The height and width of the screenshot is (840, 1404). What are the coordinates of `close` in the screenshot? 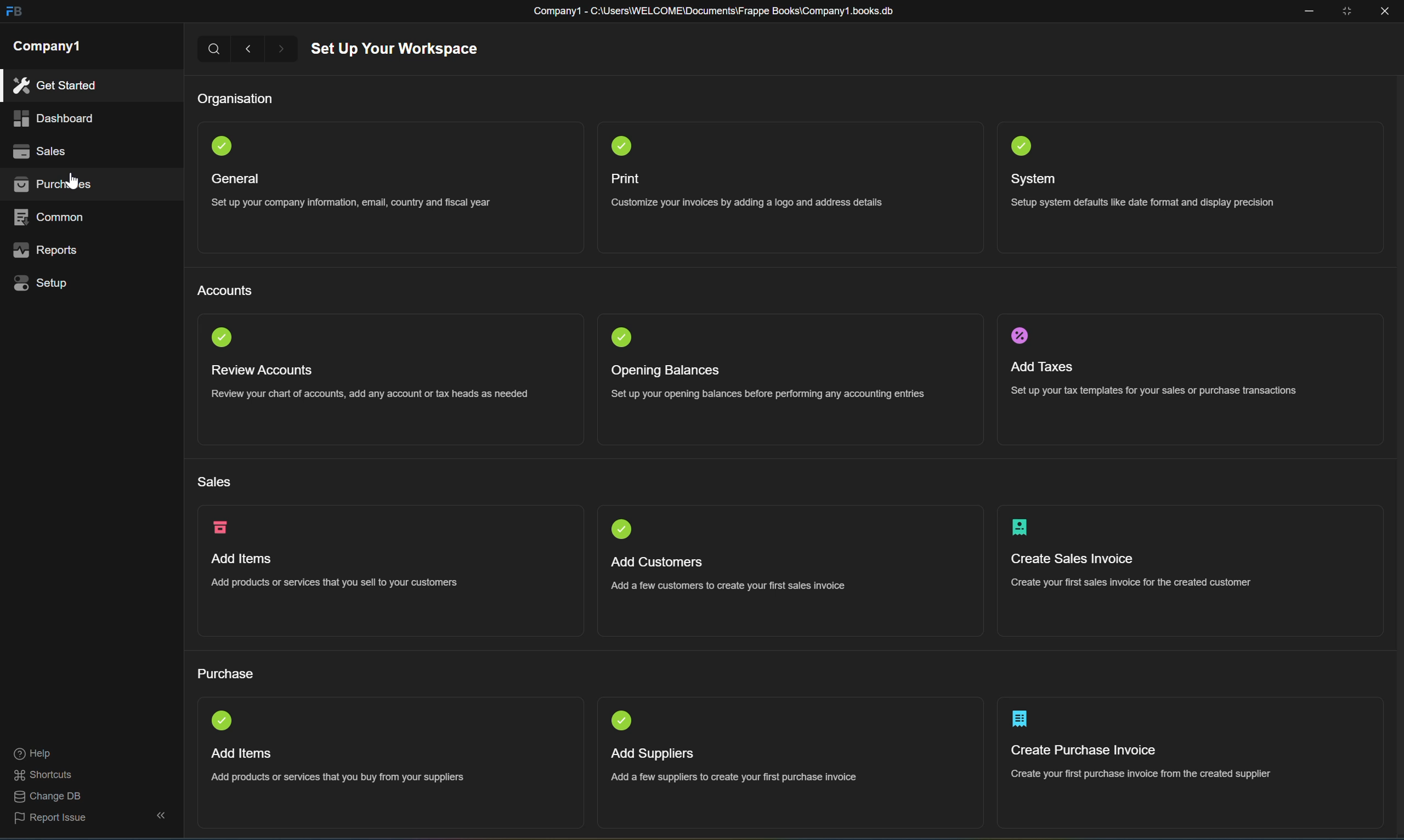 It's located at (1388, 12).